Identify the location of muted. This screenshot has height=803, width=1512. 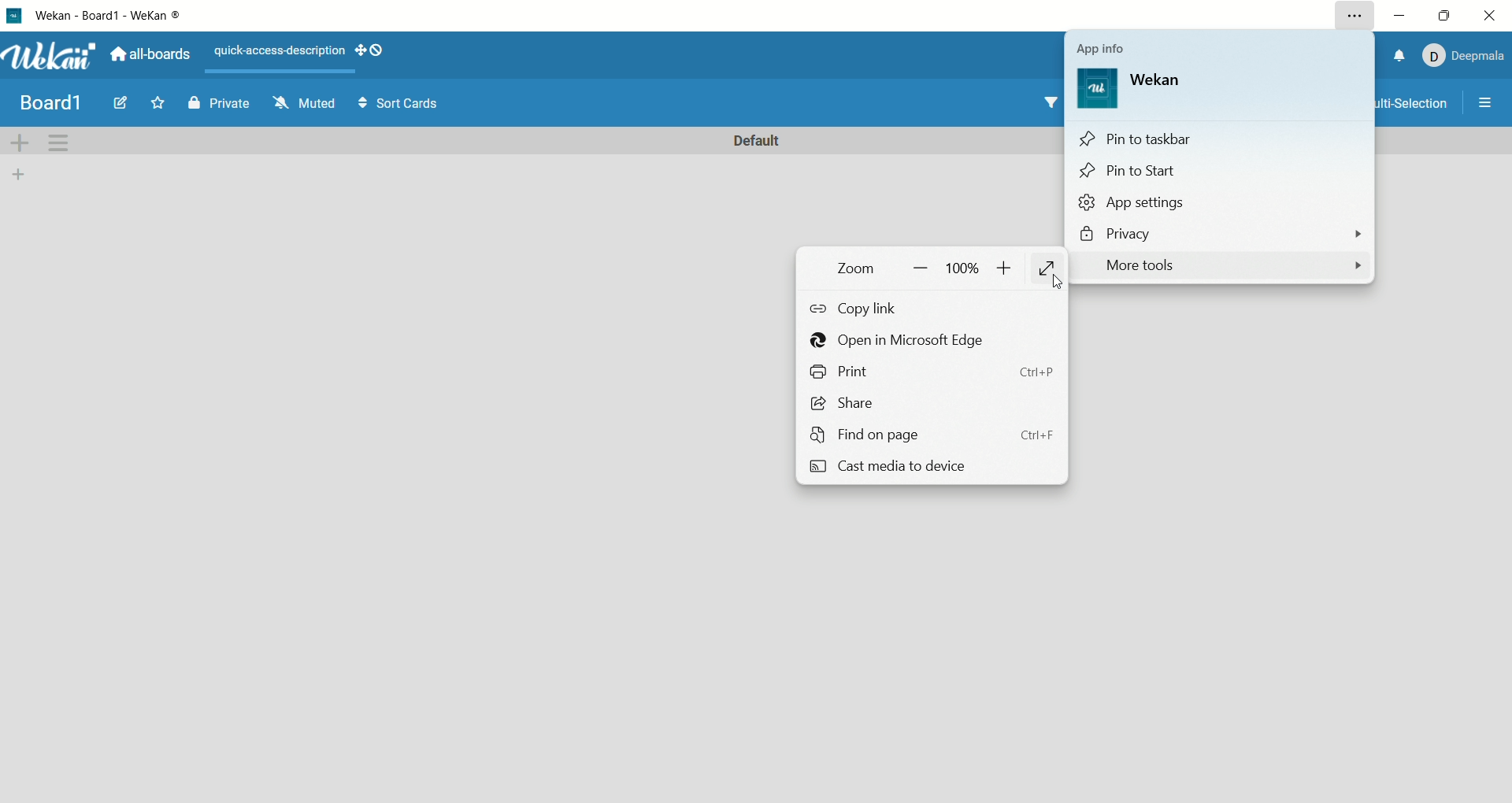
(305, 101).